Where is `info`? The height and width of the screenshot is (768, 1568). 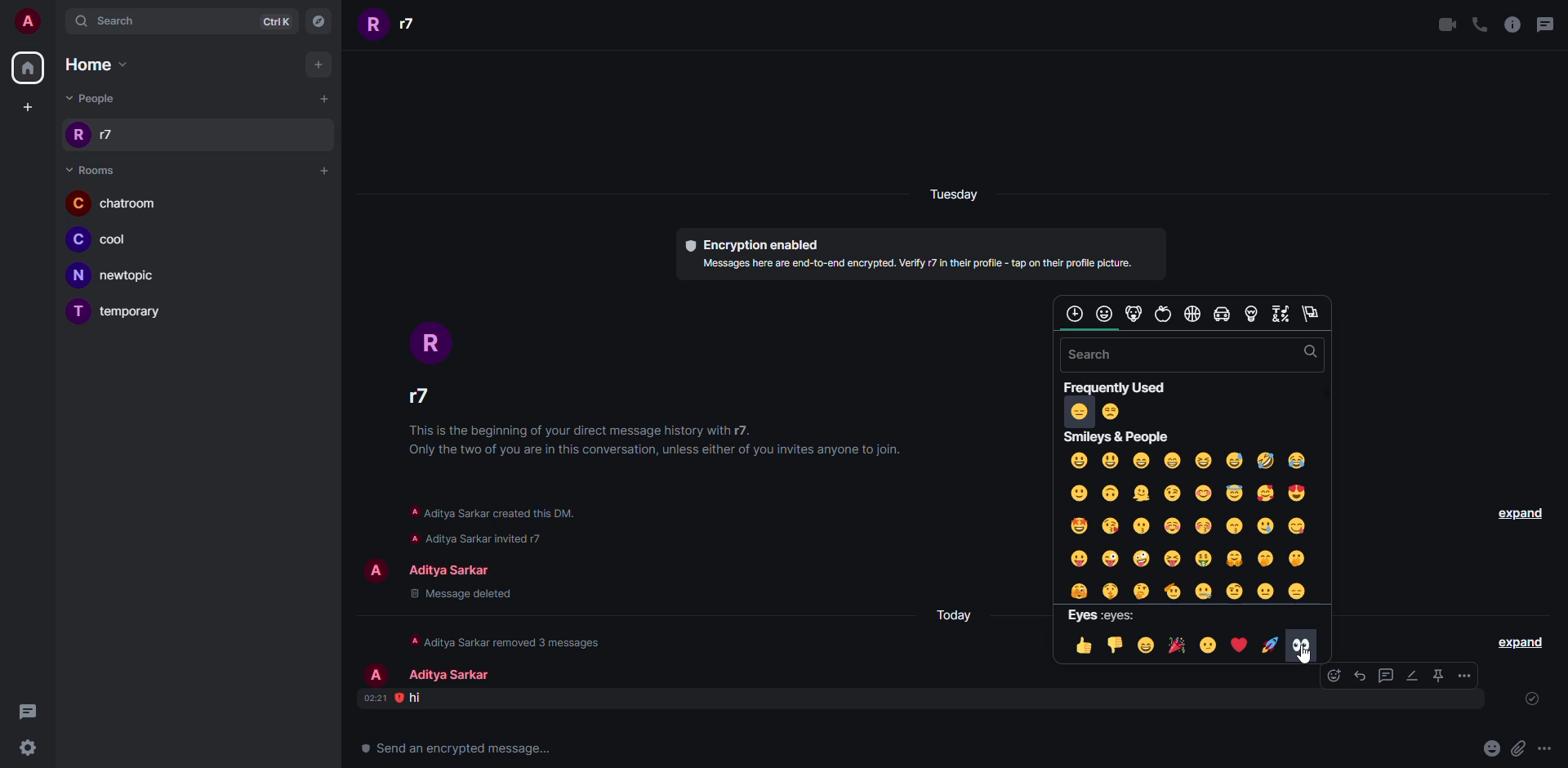
info is located at coordinates (664, 440).